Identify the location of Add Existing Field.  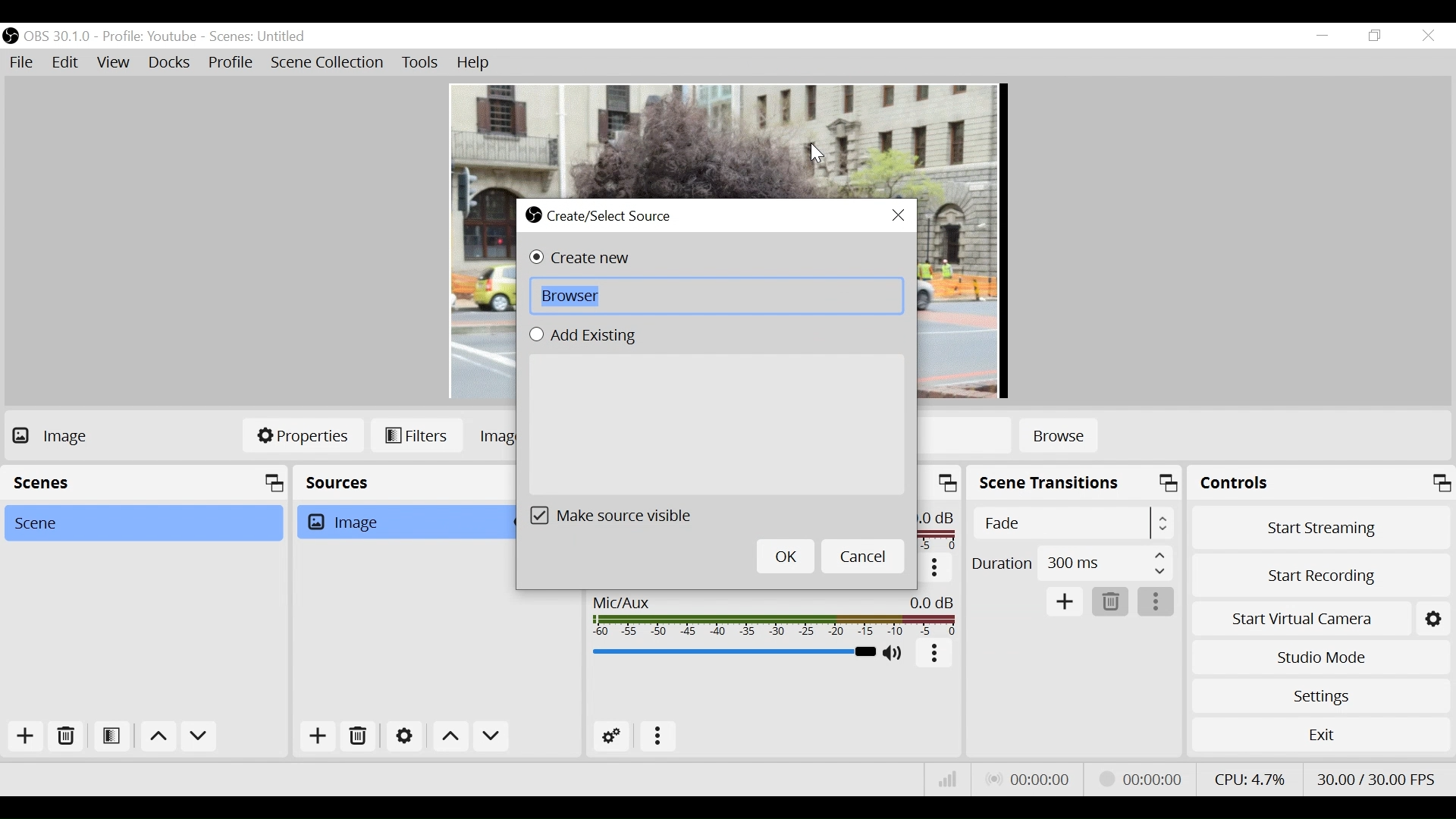
(722, 425).